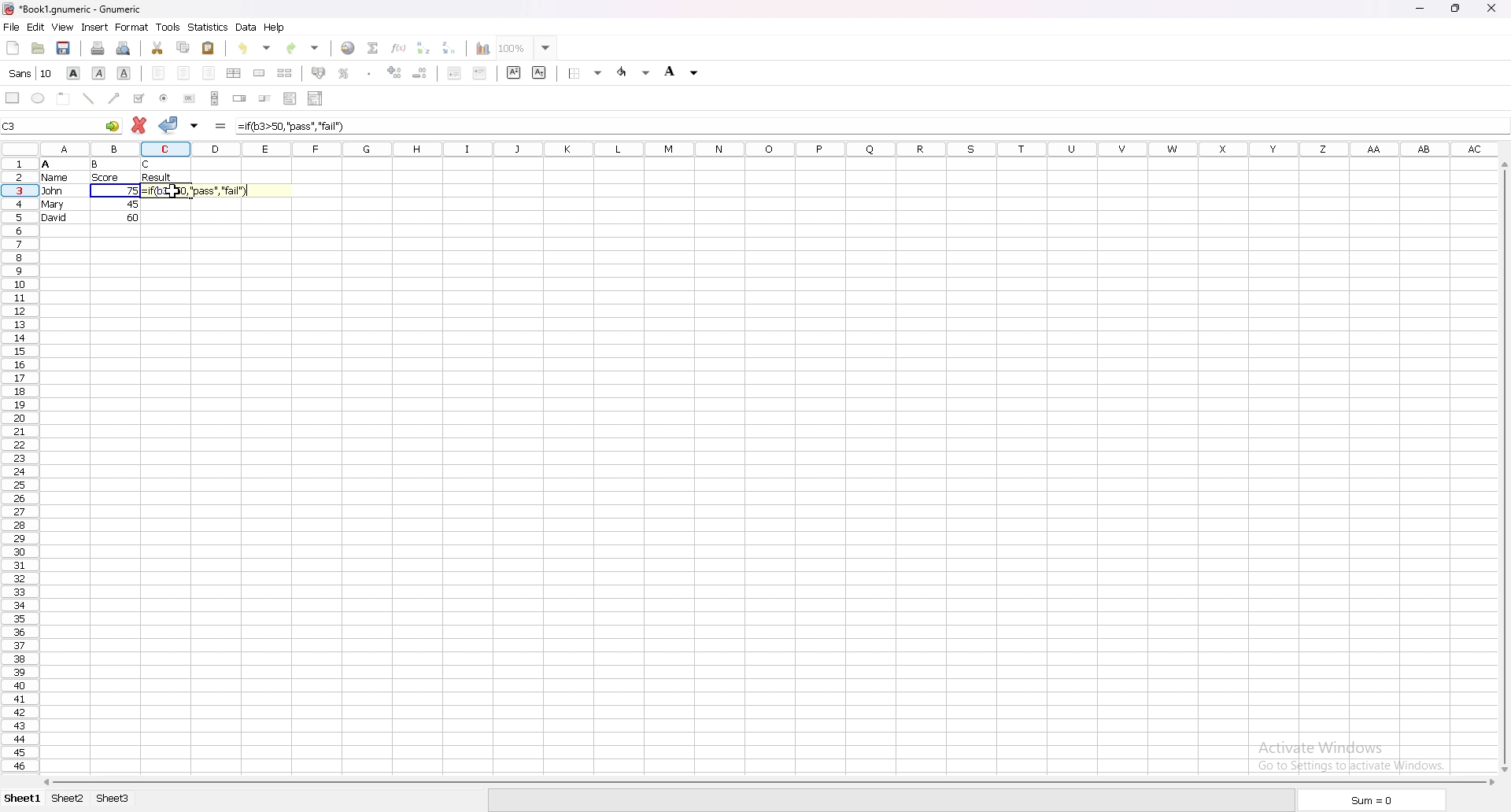 The width and height of the screenshot is (1511, 812). Describe the element at coordinates (61, 27) in the screenshot. I see `view` at that location.